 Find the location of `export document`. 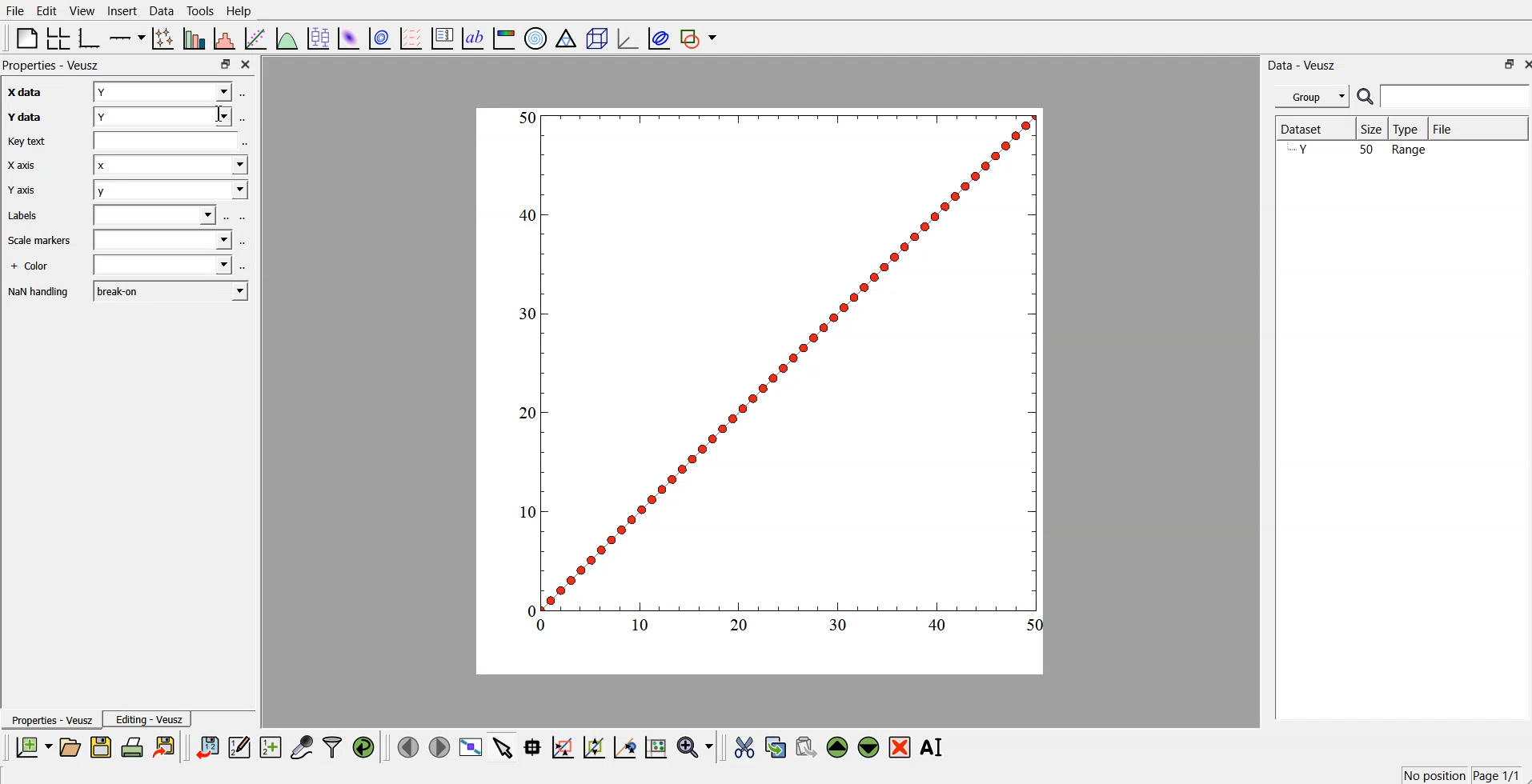

export document is located at coordinates (165, 748).